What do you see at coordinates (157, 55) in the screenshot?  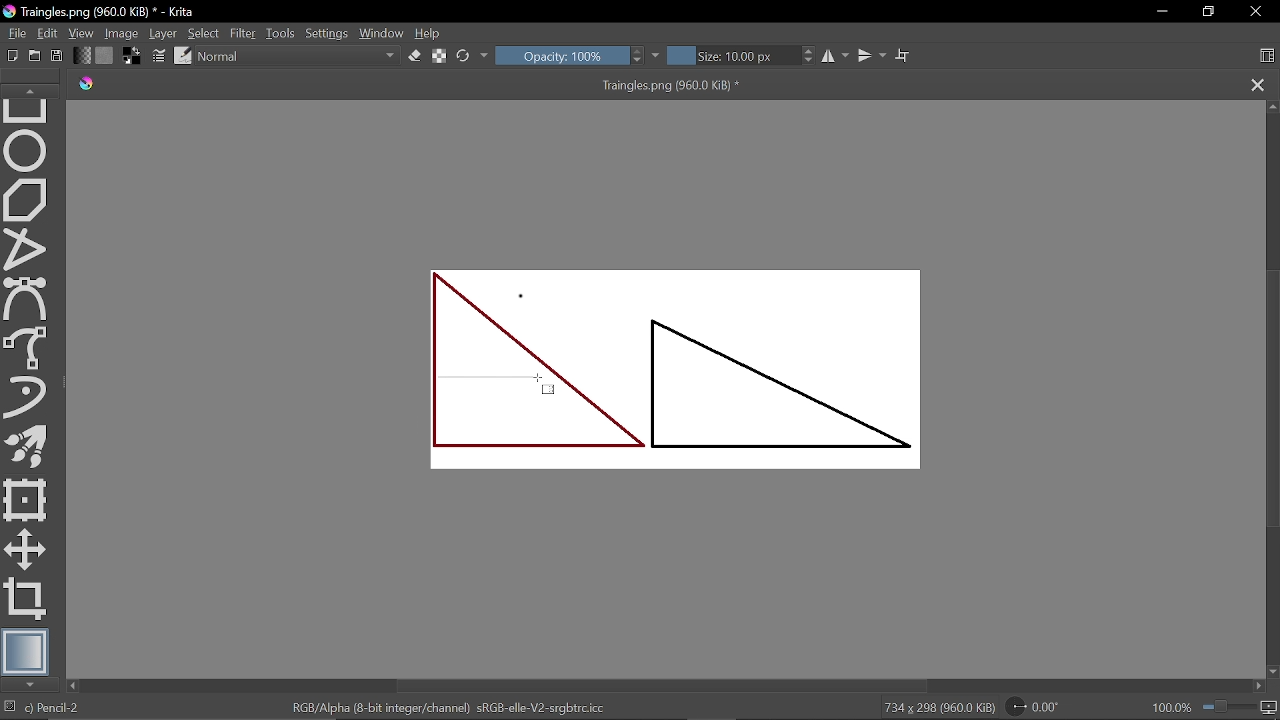 I see `Edit brush settings` at bounding box center [157, 55].